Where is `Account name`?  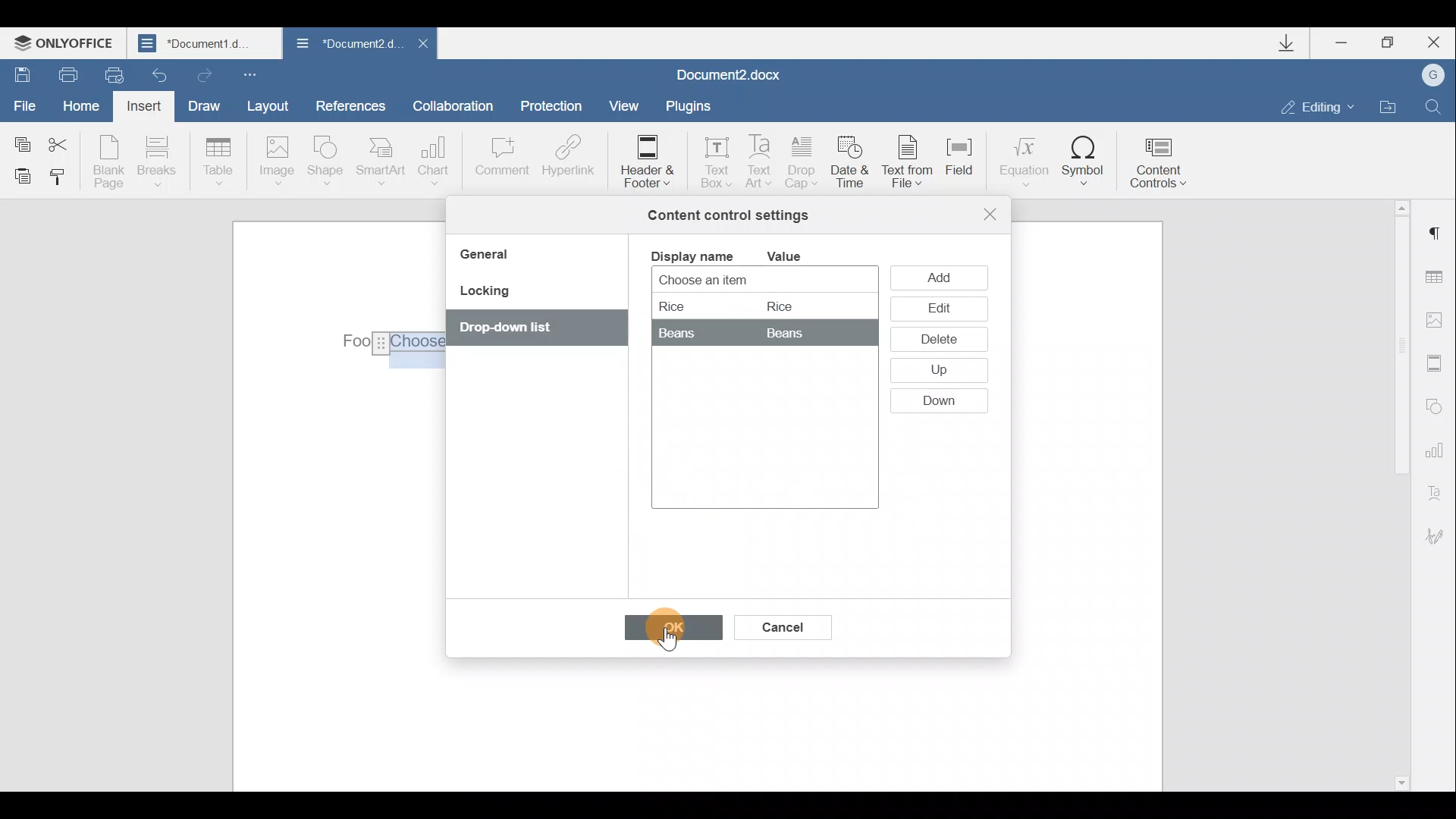 Account name is located at coordinates (1428, 76).